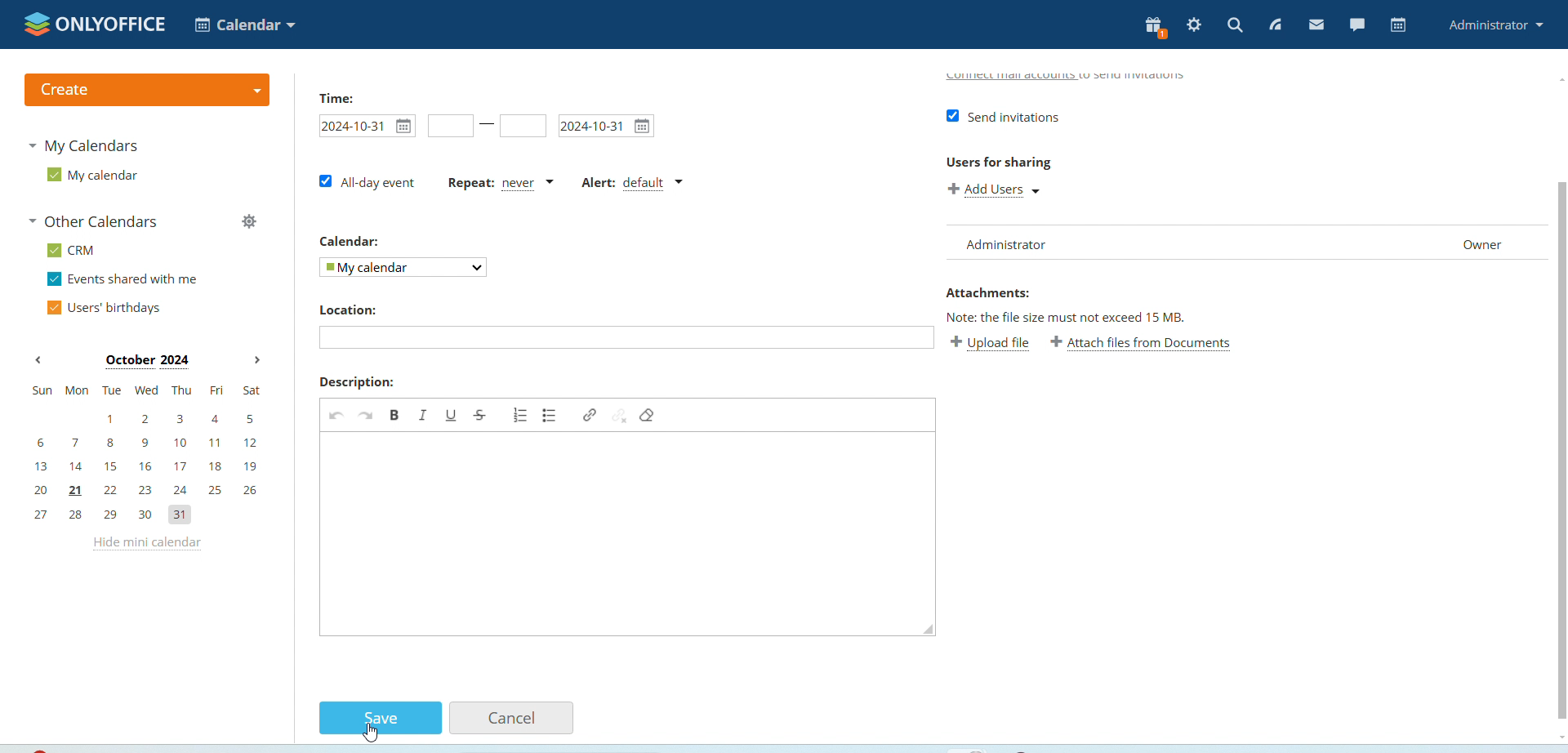 The height and width of the screenshot is (753, 1568). Describe the element at coordinates (337, 414) in the screenshot. I see `undo` at that location.